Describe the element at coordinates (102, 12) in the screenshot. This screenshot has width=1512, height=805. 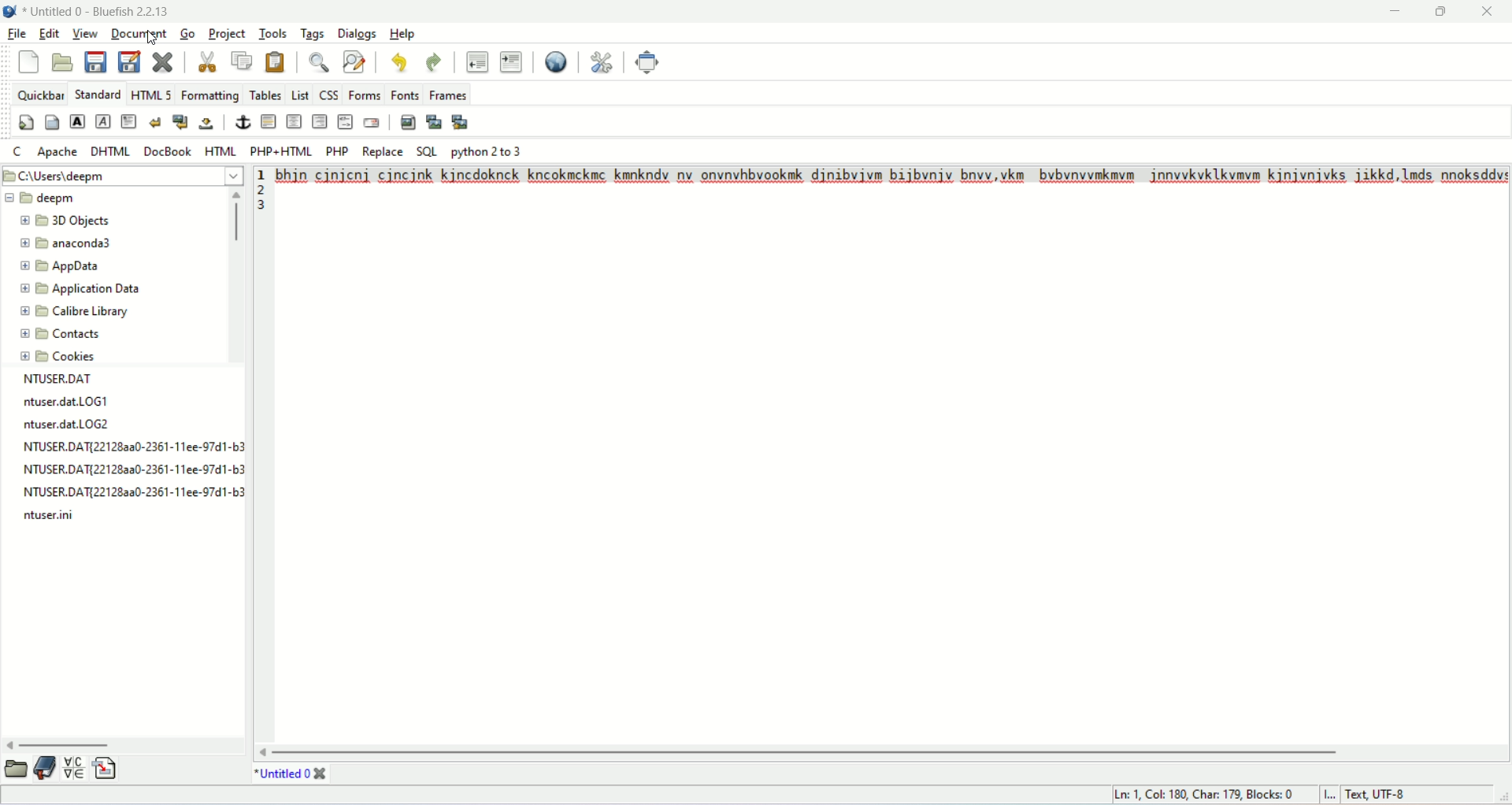
I see `title` at that location.